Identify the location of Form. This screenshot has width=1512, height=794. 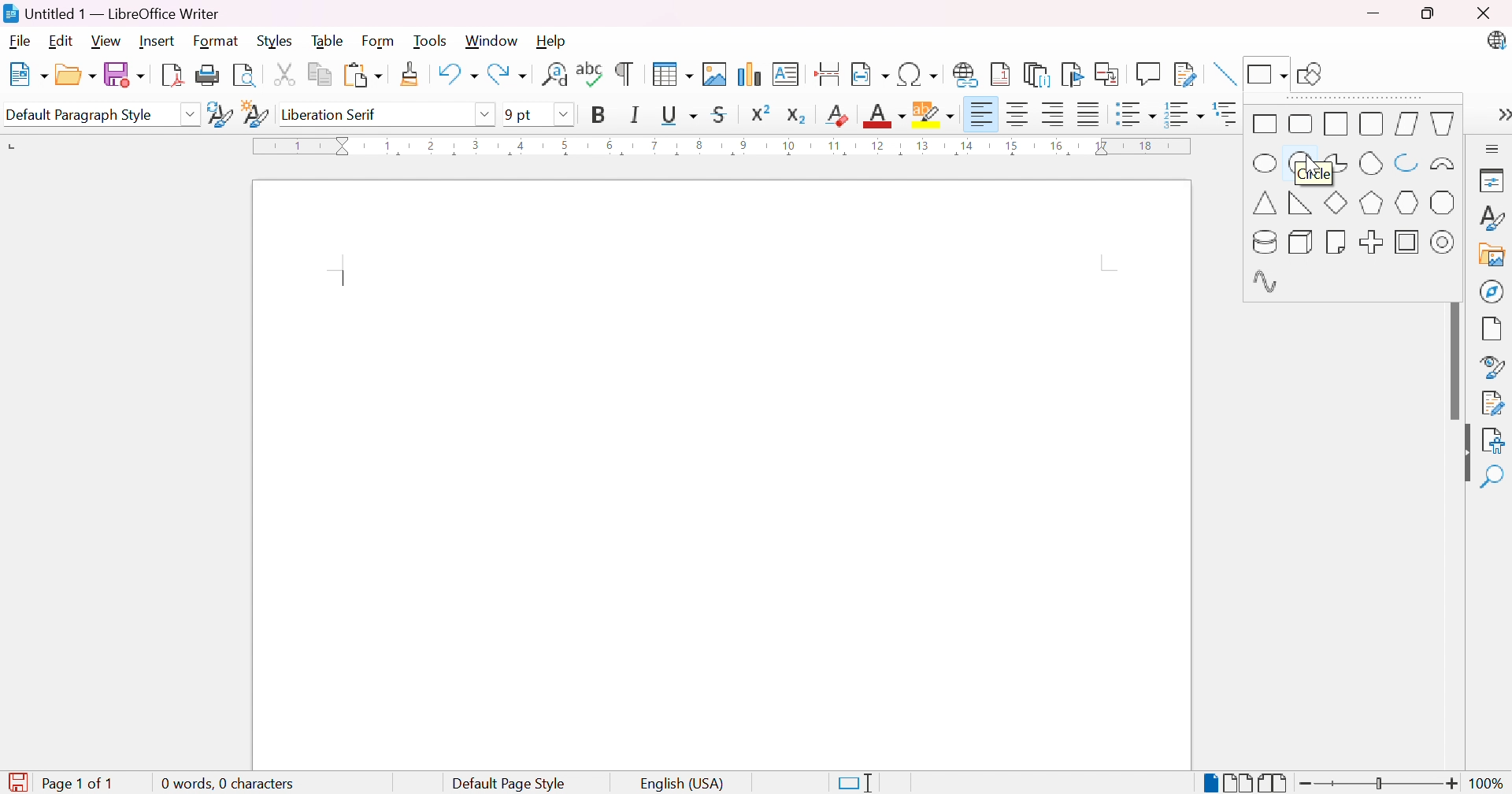
(379, 42).